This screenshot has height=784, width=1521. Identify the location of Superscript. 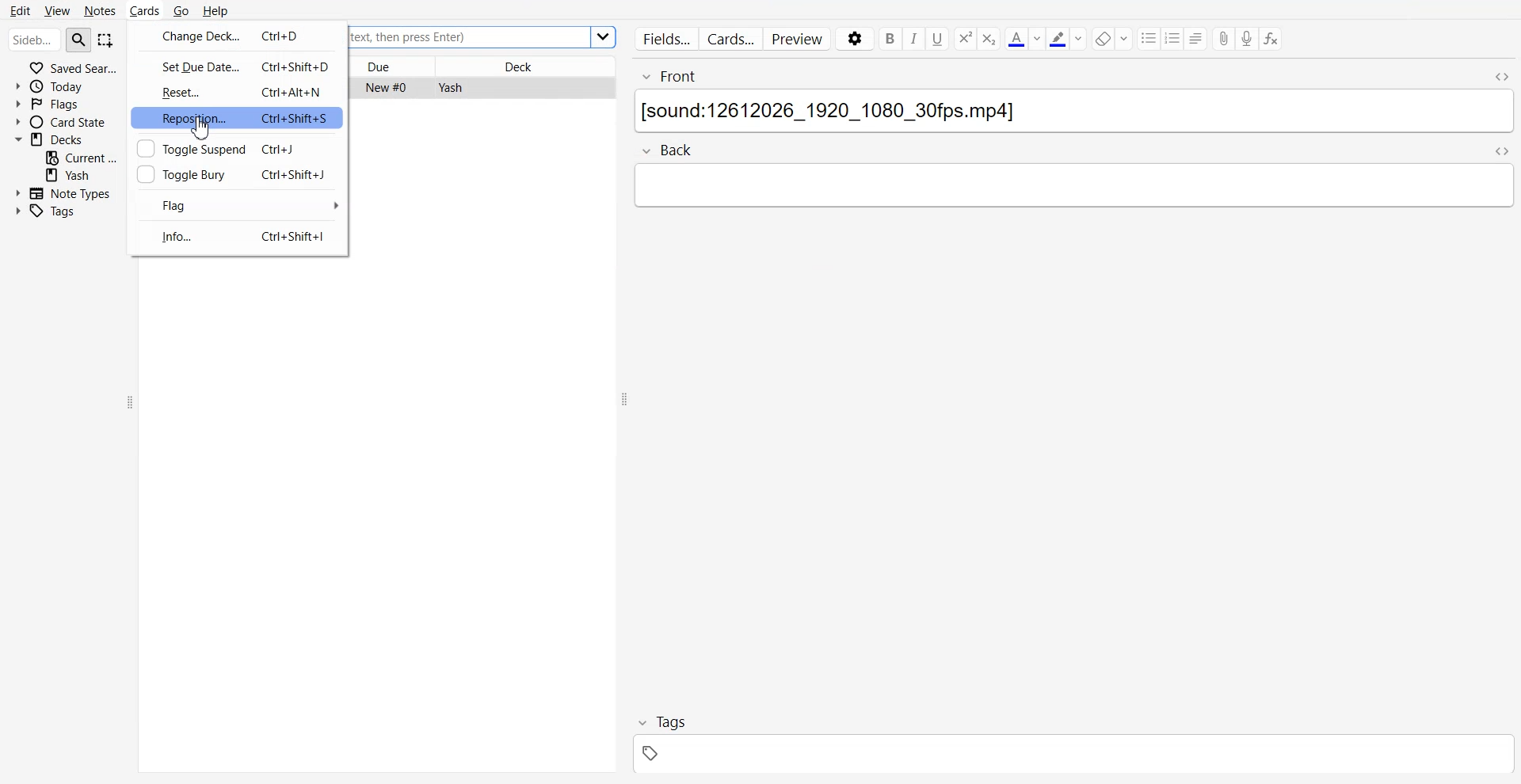
(990, 39).